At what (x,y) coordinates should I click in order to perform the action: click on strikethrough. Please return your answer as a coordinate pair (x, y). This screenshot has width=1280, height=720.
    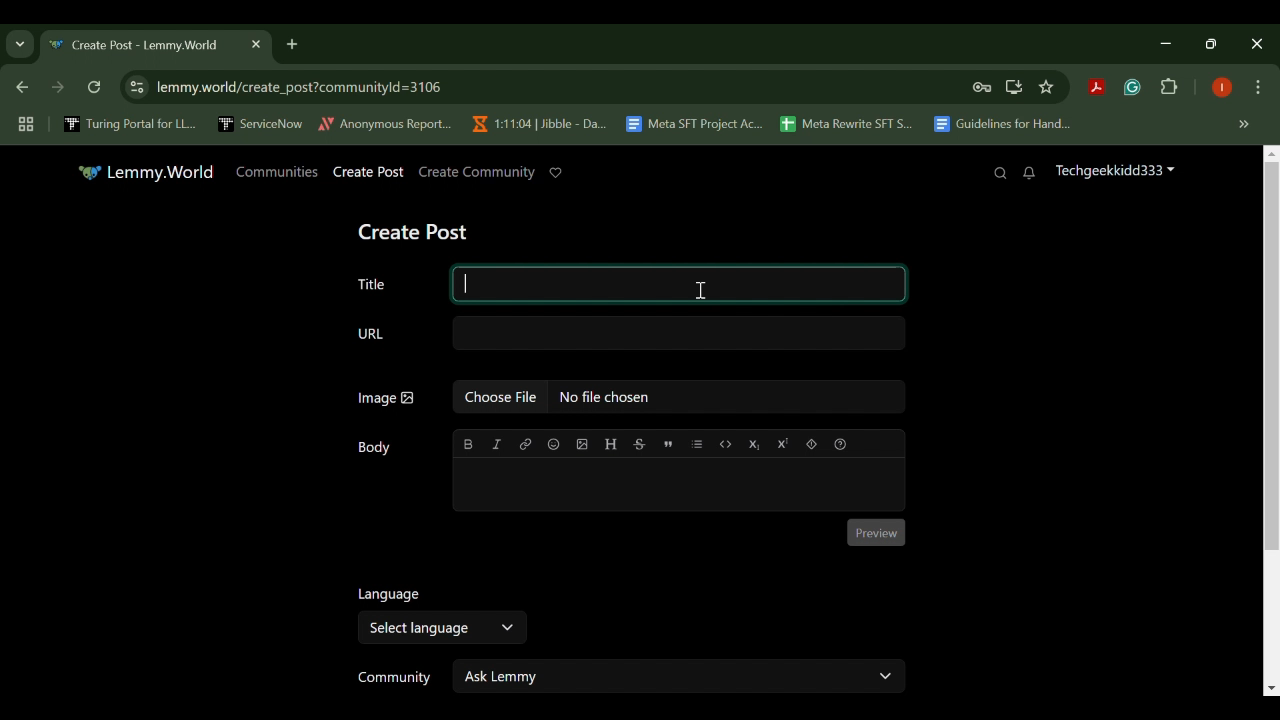
    Looking at the image, I should click on (639, 443).